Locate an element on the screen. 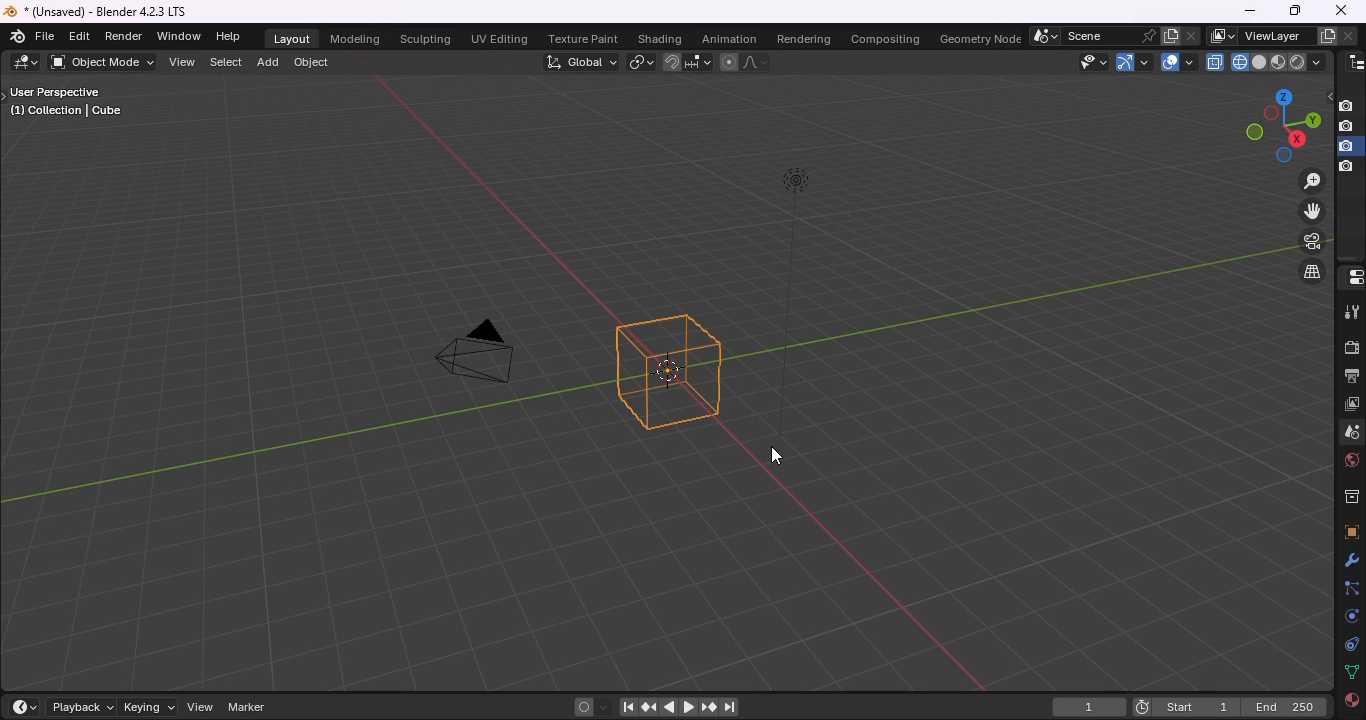 Image resolution: width=1366 pixels, height=720 pixels. start 1 is located at coordinates (1199, 709).